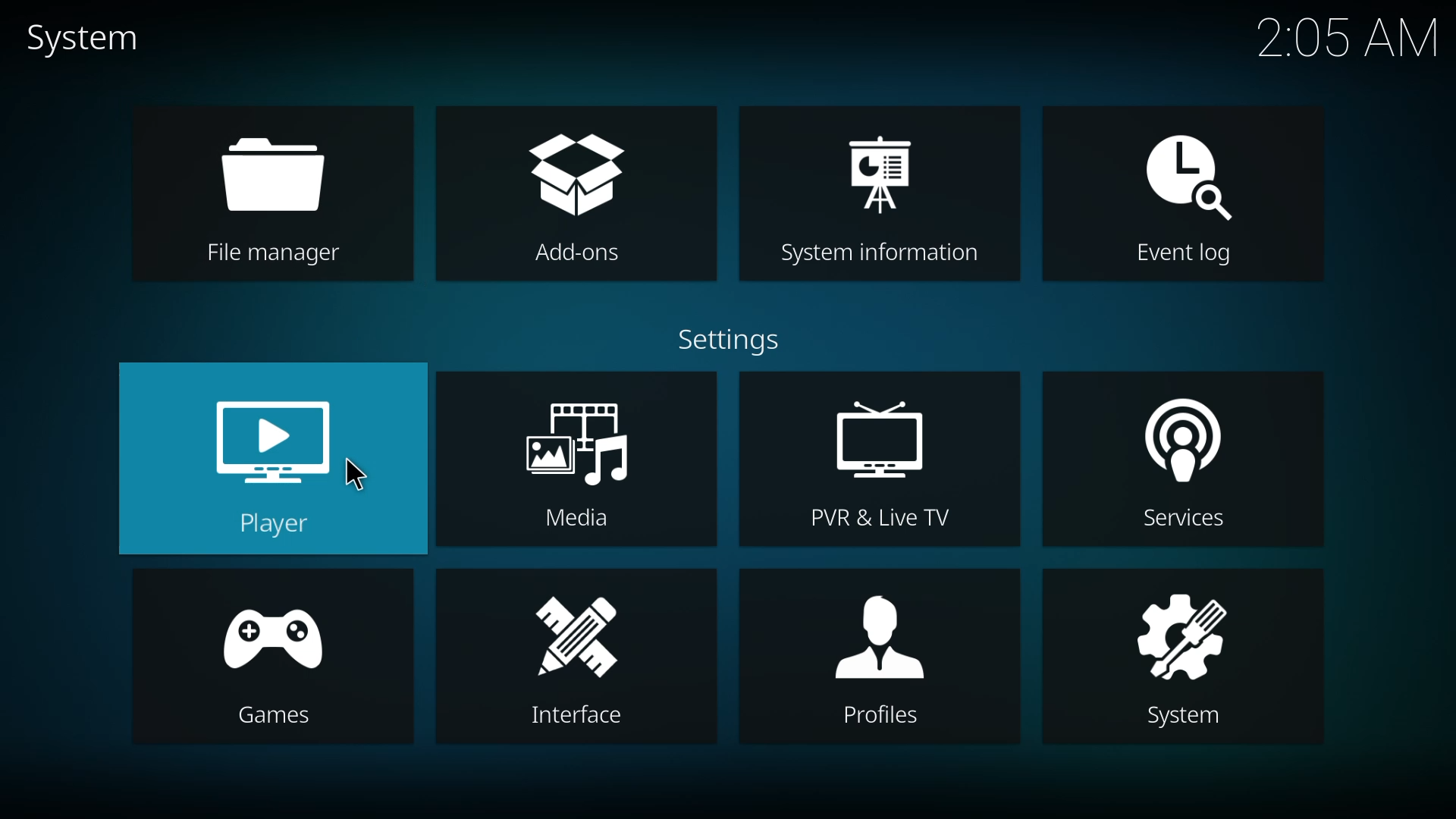  Describe the element at coordinates (1181, 196) in the screenshot. I see `event log` at that location.